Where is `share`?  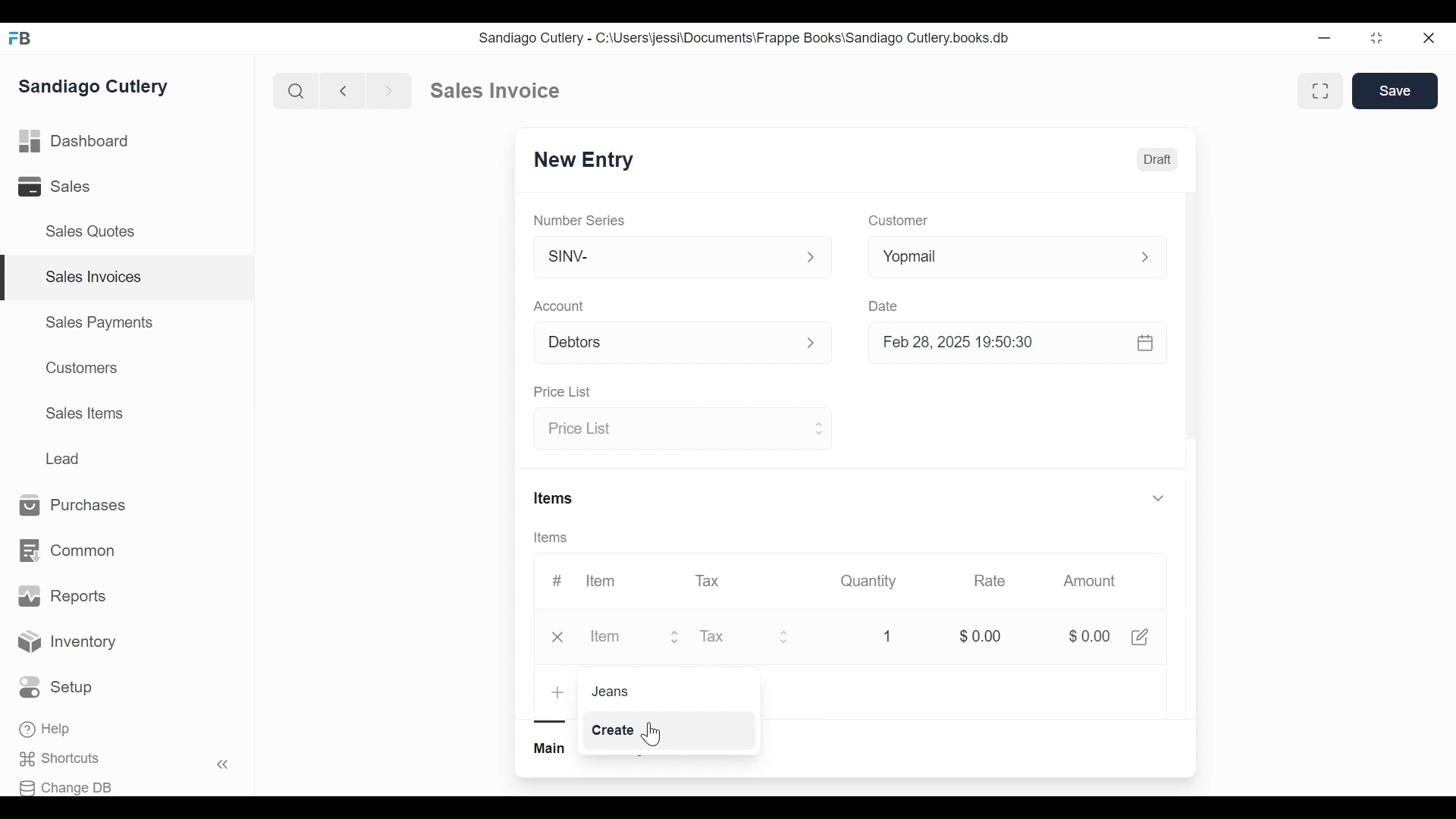
share is located at coordinates (1144, 637).